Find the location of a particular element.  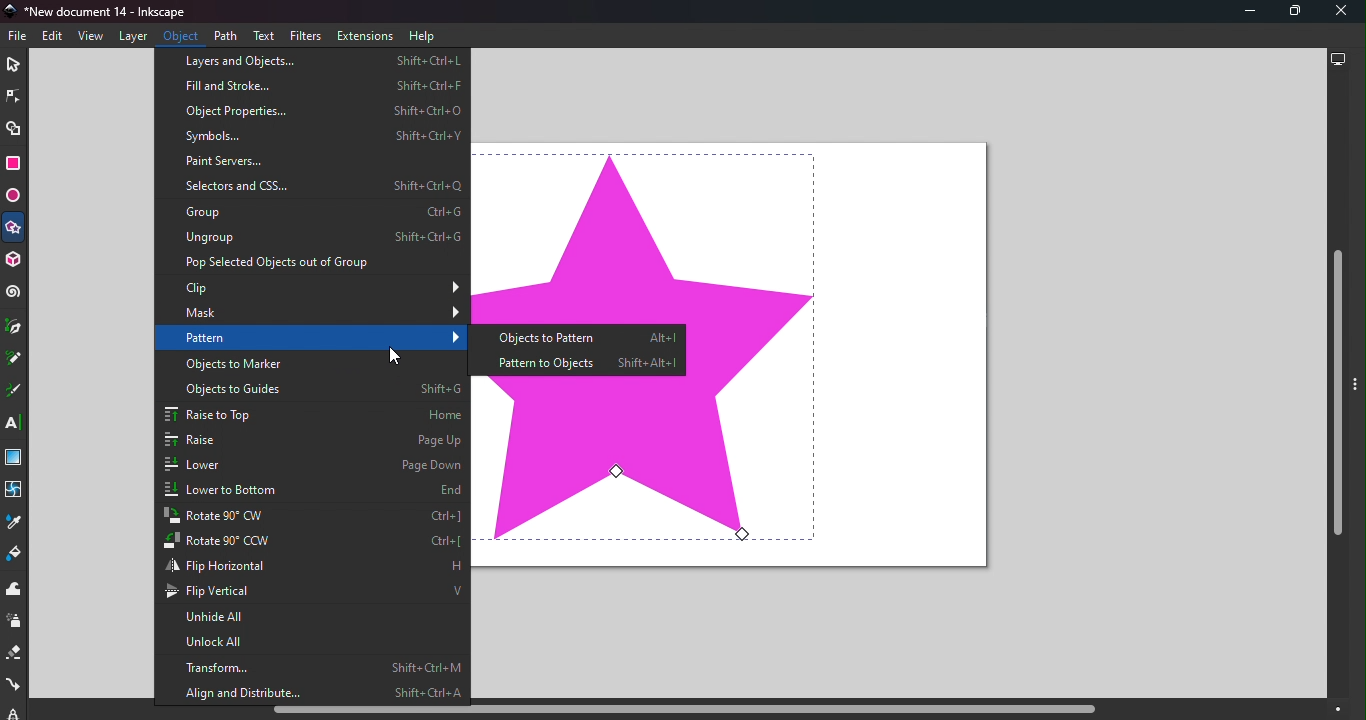

Rotate 90 CCW is located at coordinates (312, 541).